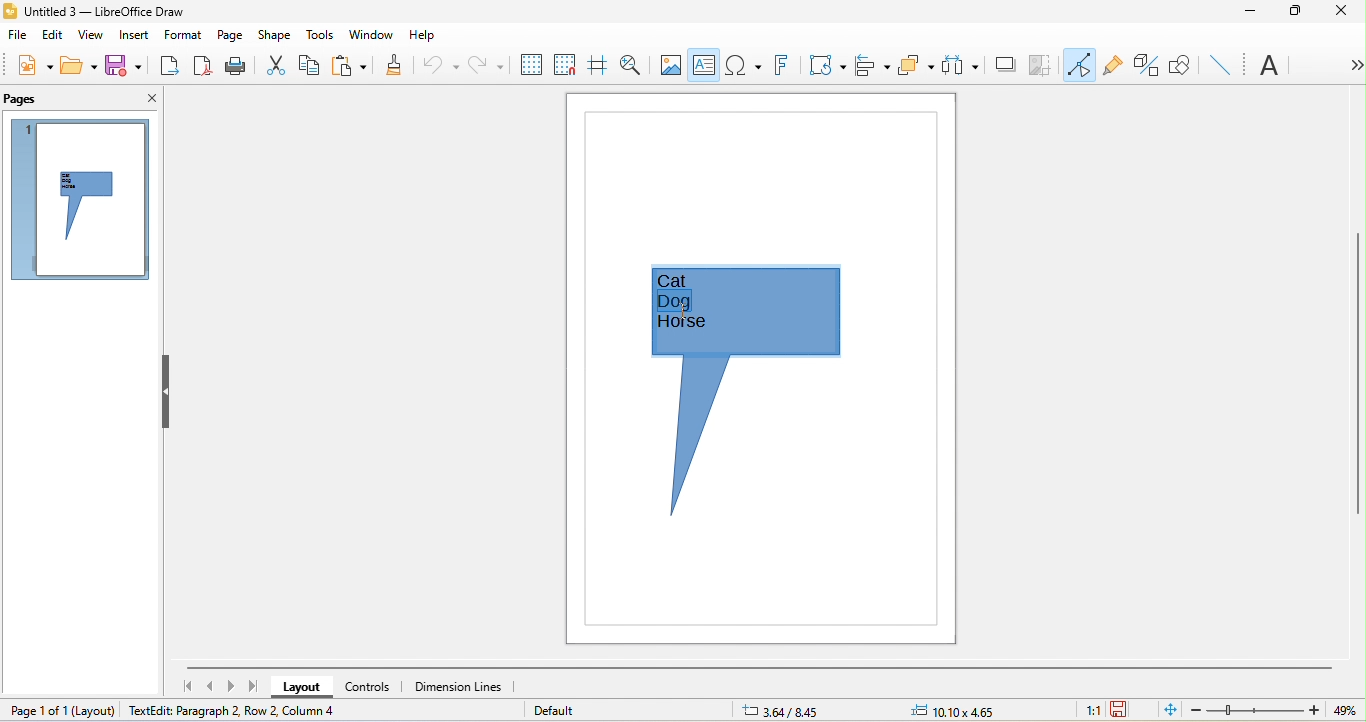 The width and height of the screenshot is (1366, 722). I want to click on shape, so click(276, 35).